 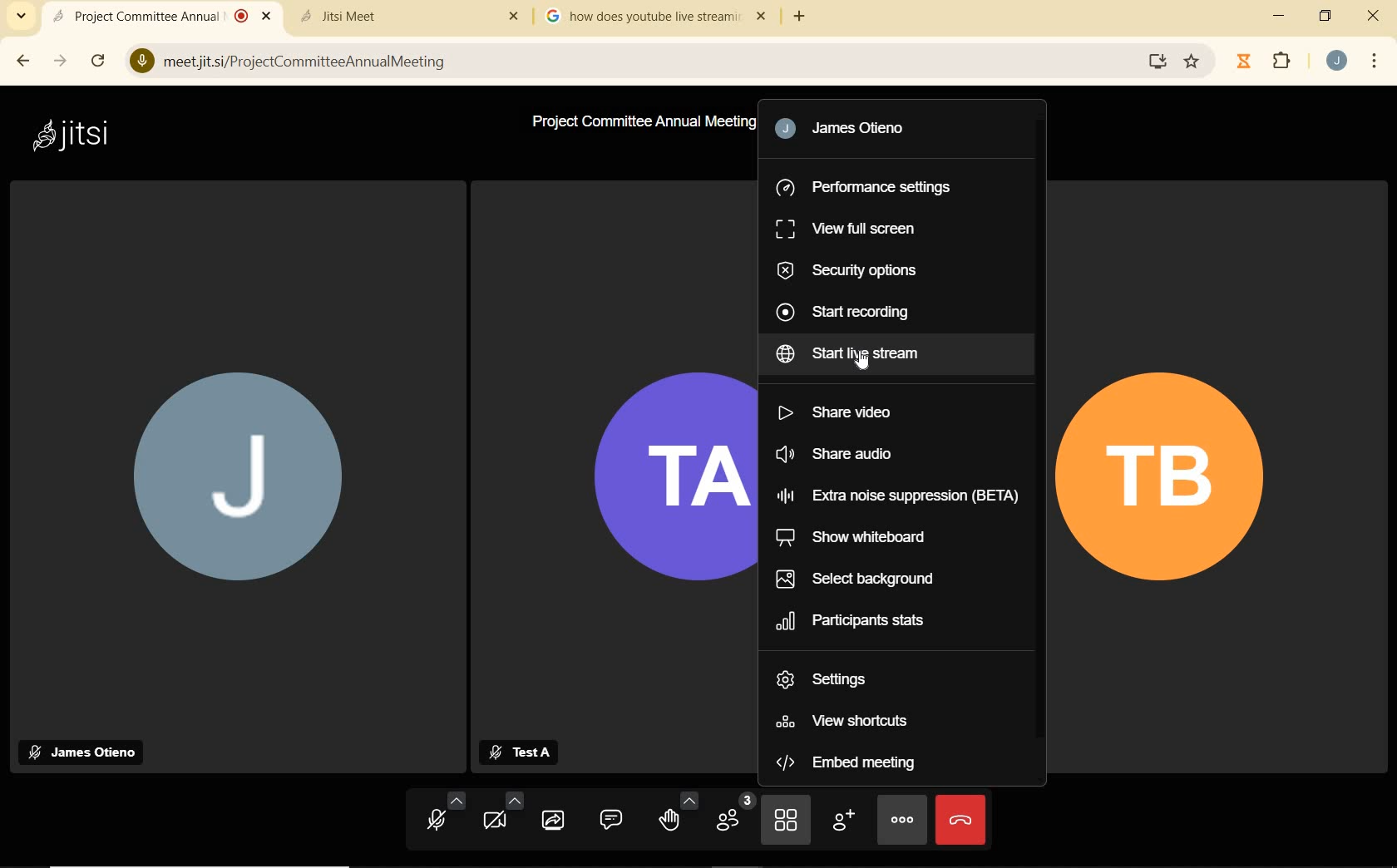 I want to click on more actions, so click(x=901, y=818).